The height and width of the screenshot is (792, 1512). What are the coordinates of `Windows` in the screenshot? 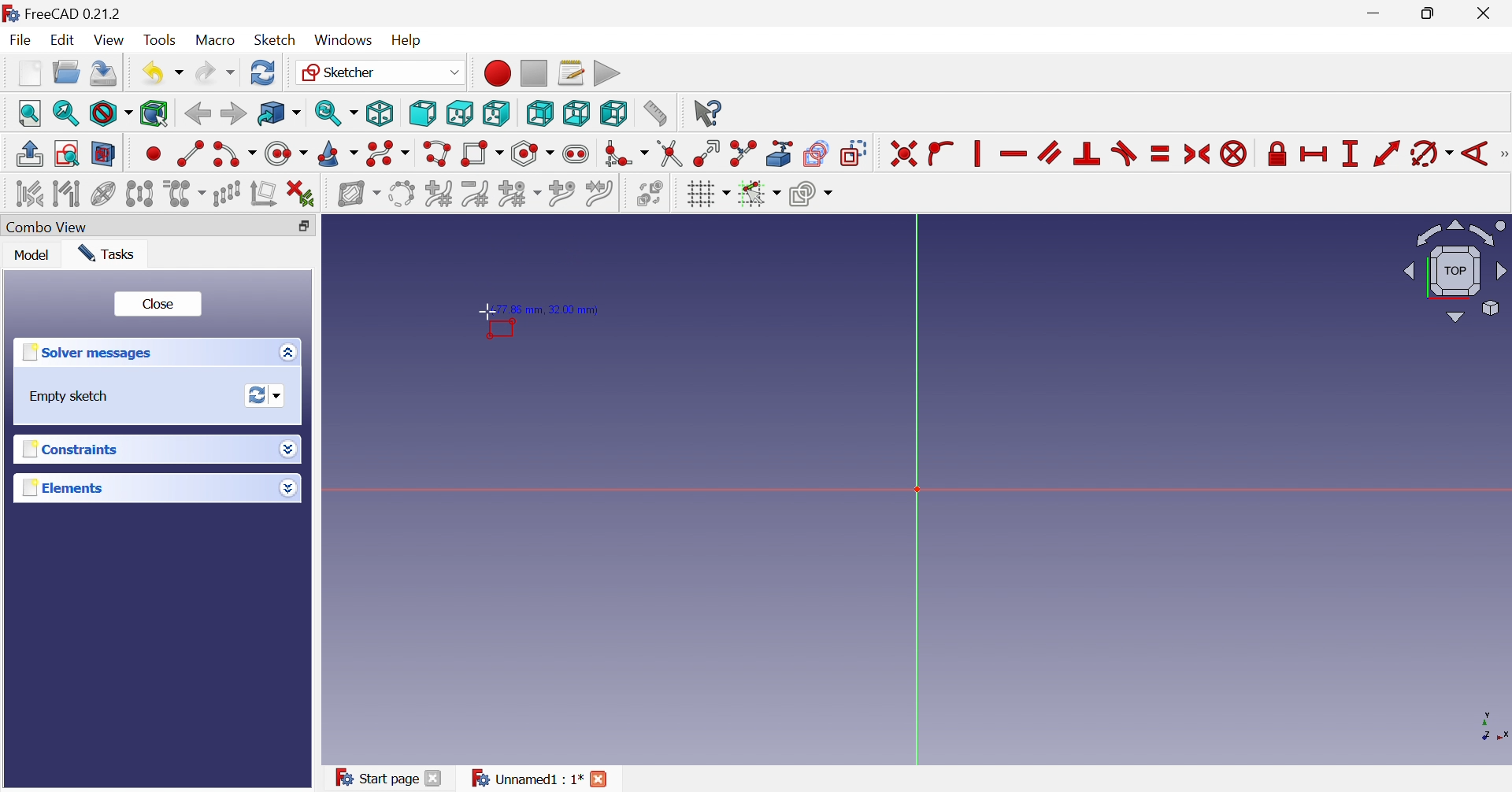 It's located at (343, 41).